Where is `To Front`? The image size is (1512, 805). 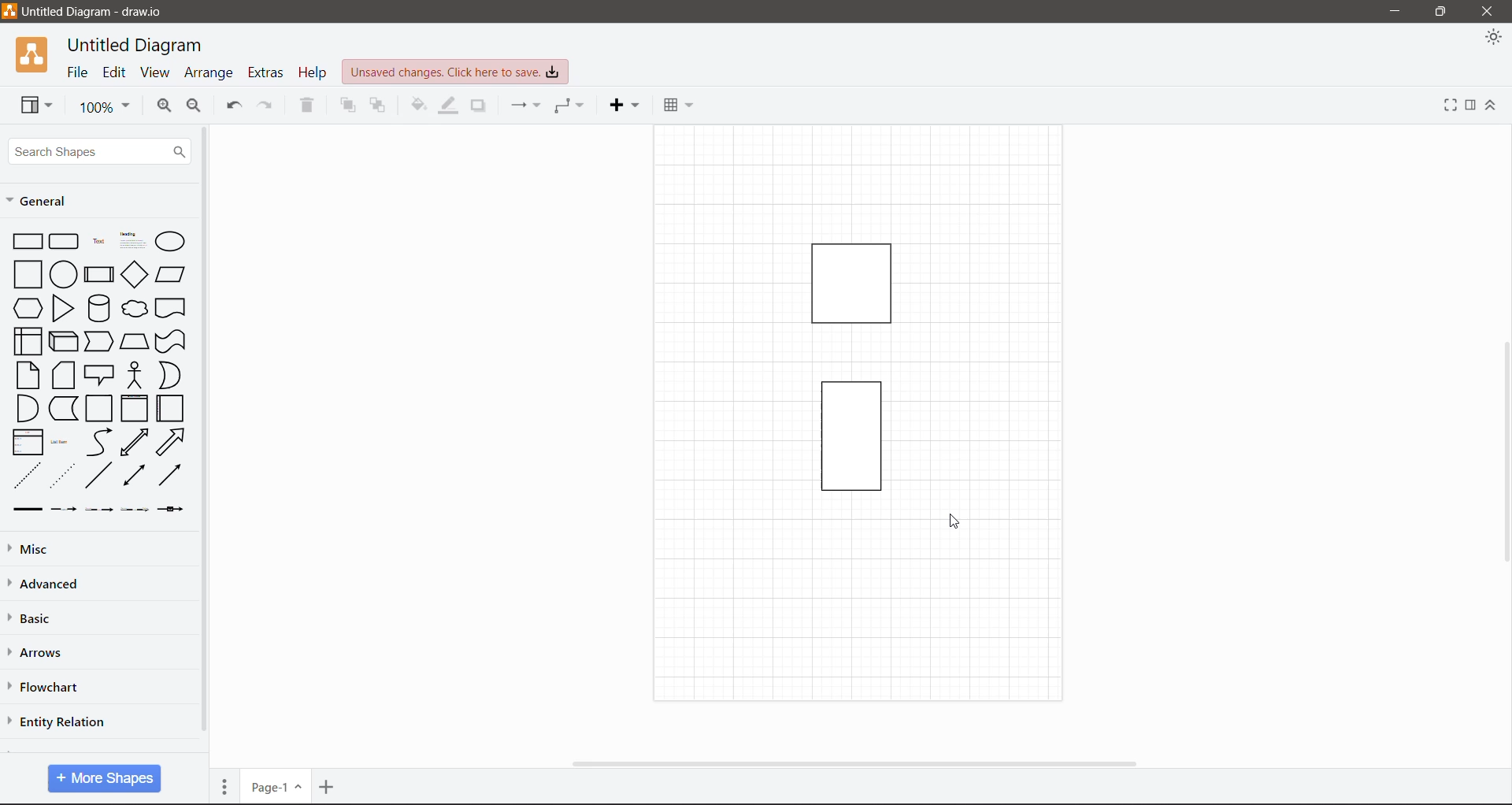 To Front is located at coordinates (347, 106).